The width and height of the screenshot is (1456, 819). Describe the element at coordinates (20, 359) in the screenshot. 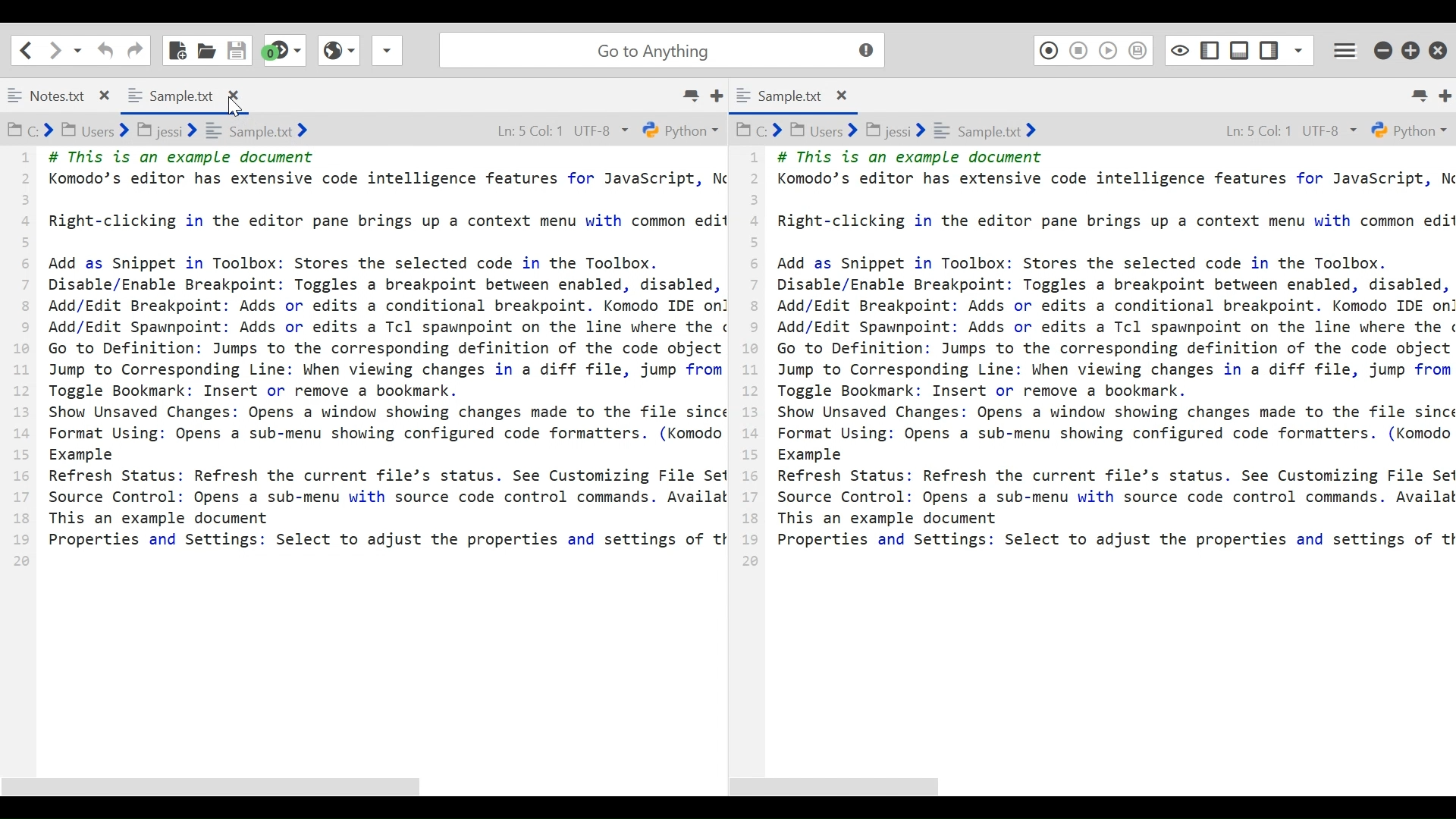

I see `1 2 3 4 5 6 7 8 9 10 11 12 13 14 15 16 17 18 19 20` at that location.